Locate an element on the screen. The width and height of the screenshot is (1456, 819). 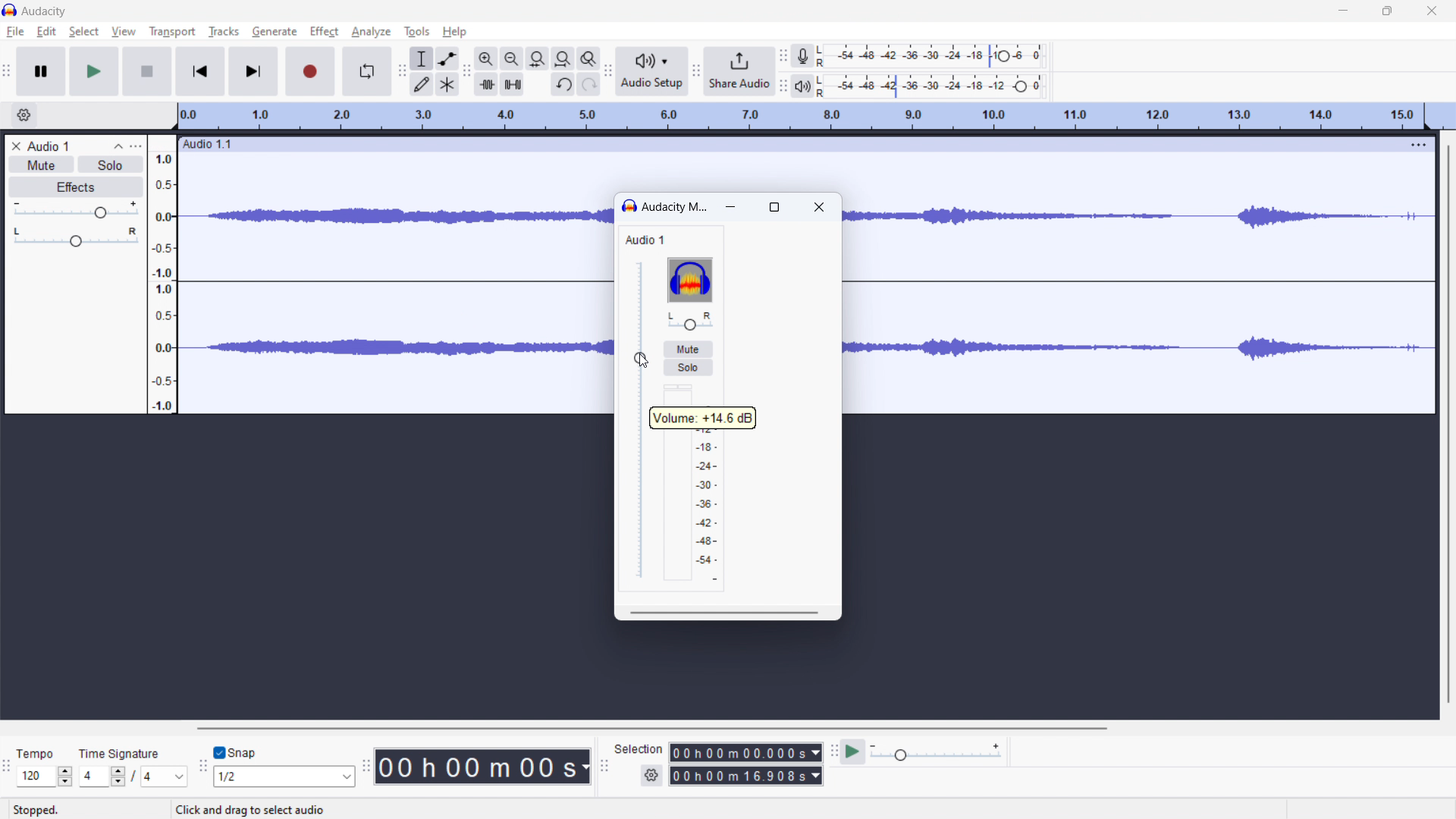
start time is located at coordinates (745, 753).